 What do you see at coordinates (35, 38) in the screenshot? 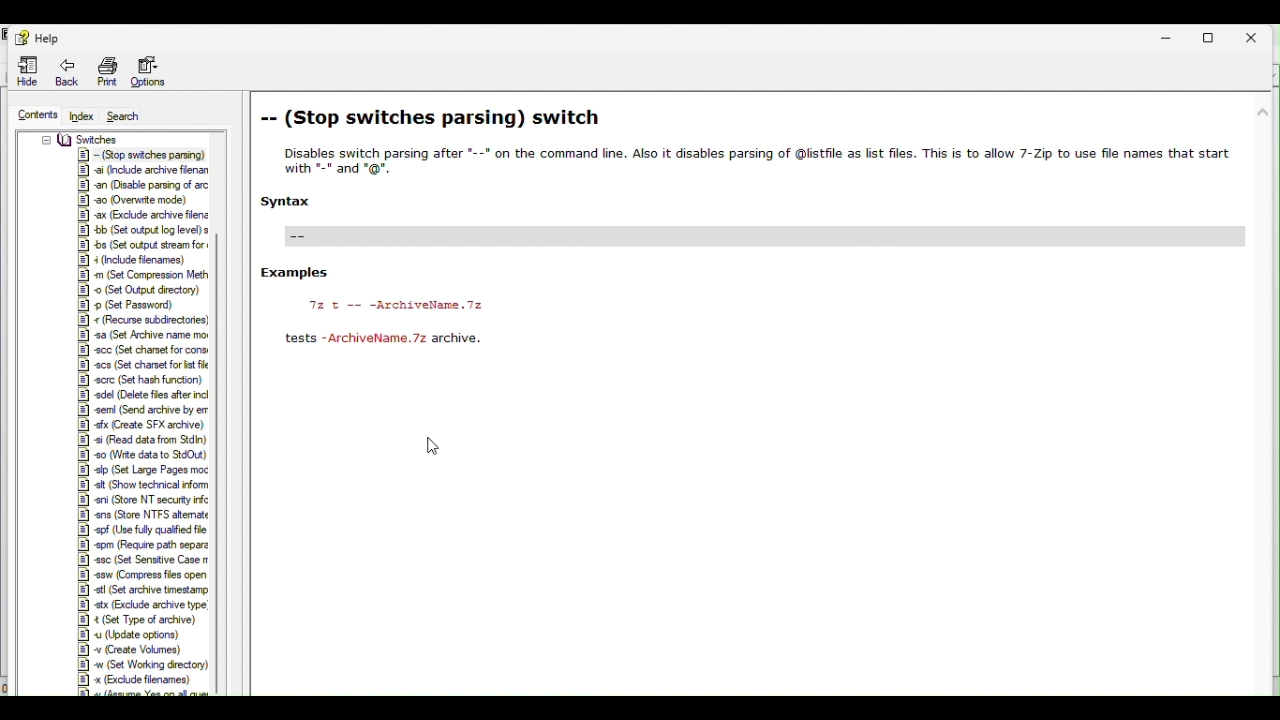
I see `help` at bounding box center [35, 38].